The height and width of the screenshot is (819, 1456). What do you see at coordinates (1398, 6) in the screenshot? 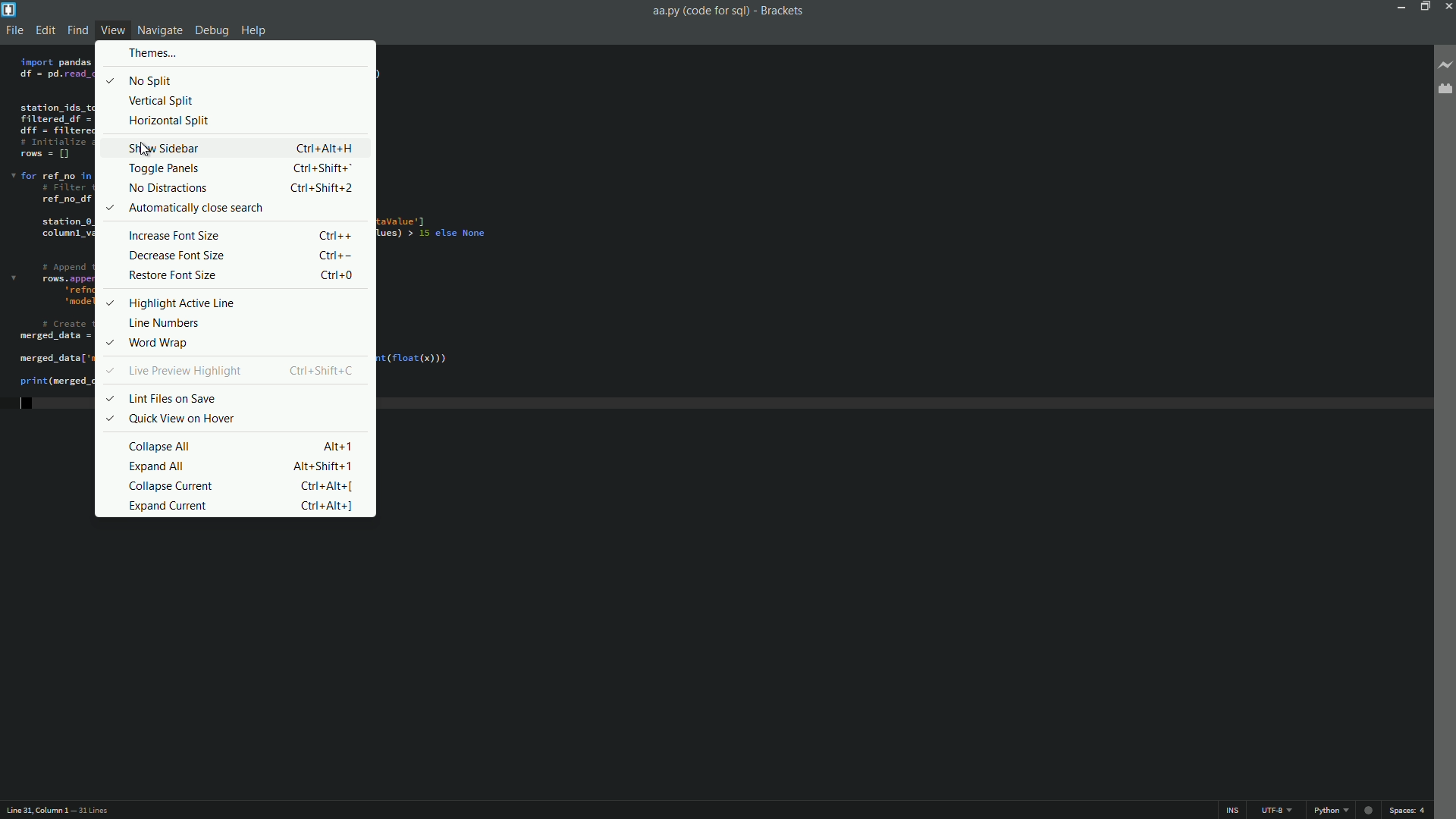
I see `Minimize` at bounding box center [1398, 6].